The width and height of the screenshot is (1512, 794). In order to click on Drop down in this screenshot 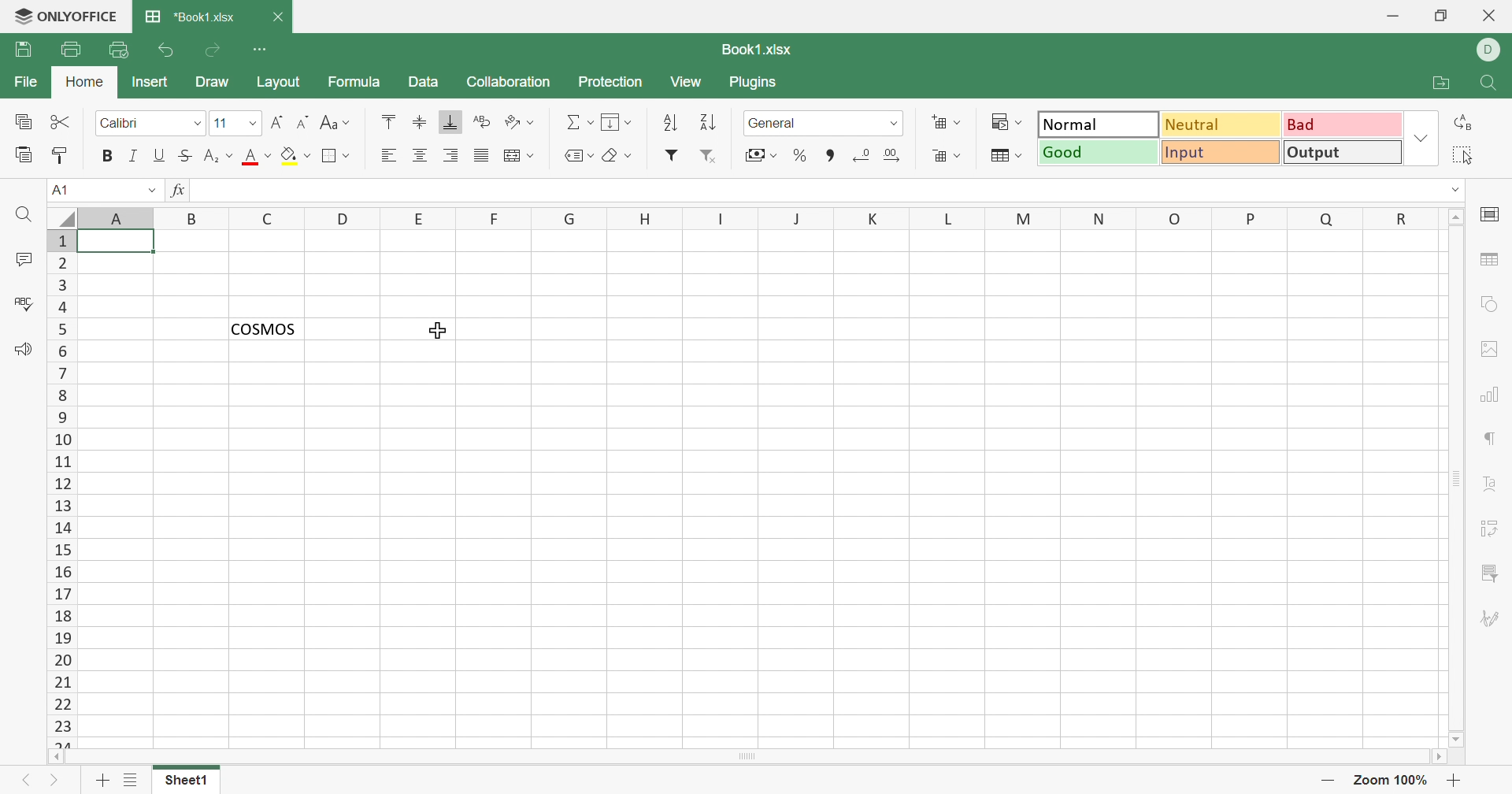, I will do `click(198, 124)`.